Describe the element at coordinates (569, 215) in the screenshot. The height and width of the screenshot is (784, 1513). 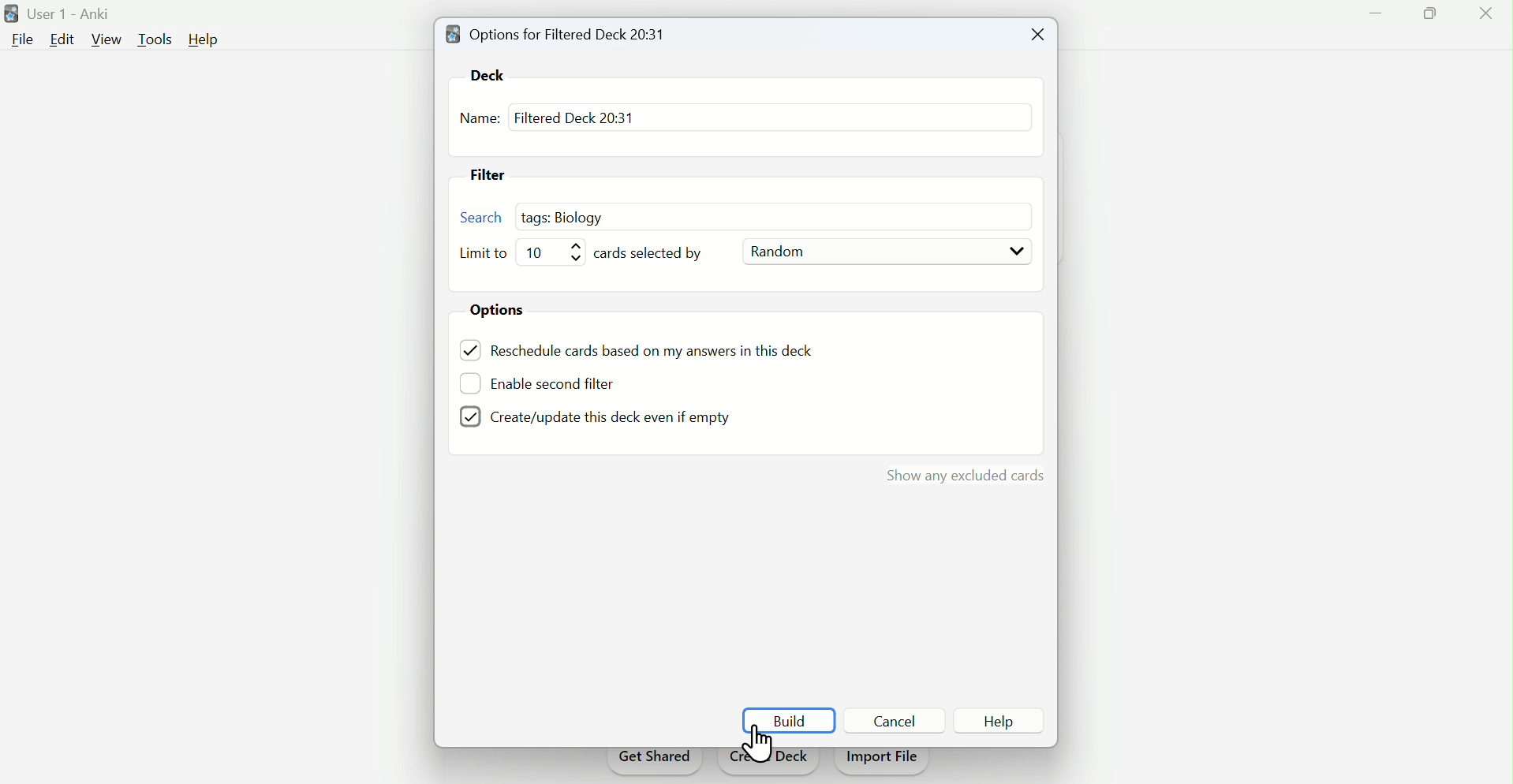
I see `tags: biology` at that location.